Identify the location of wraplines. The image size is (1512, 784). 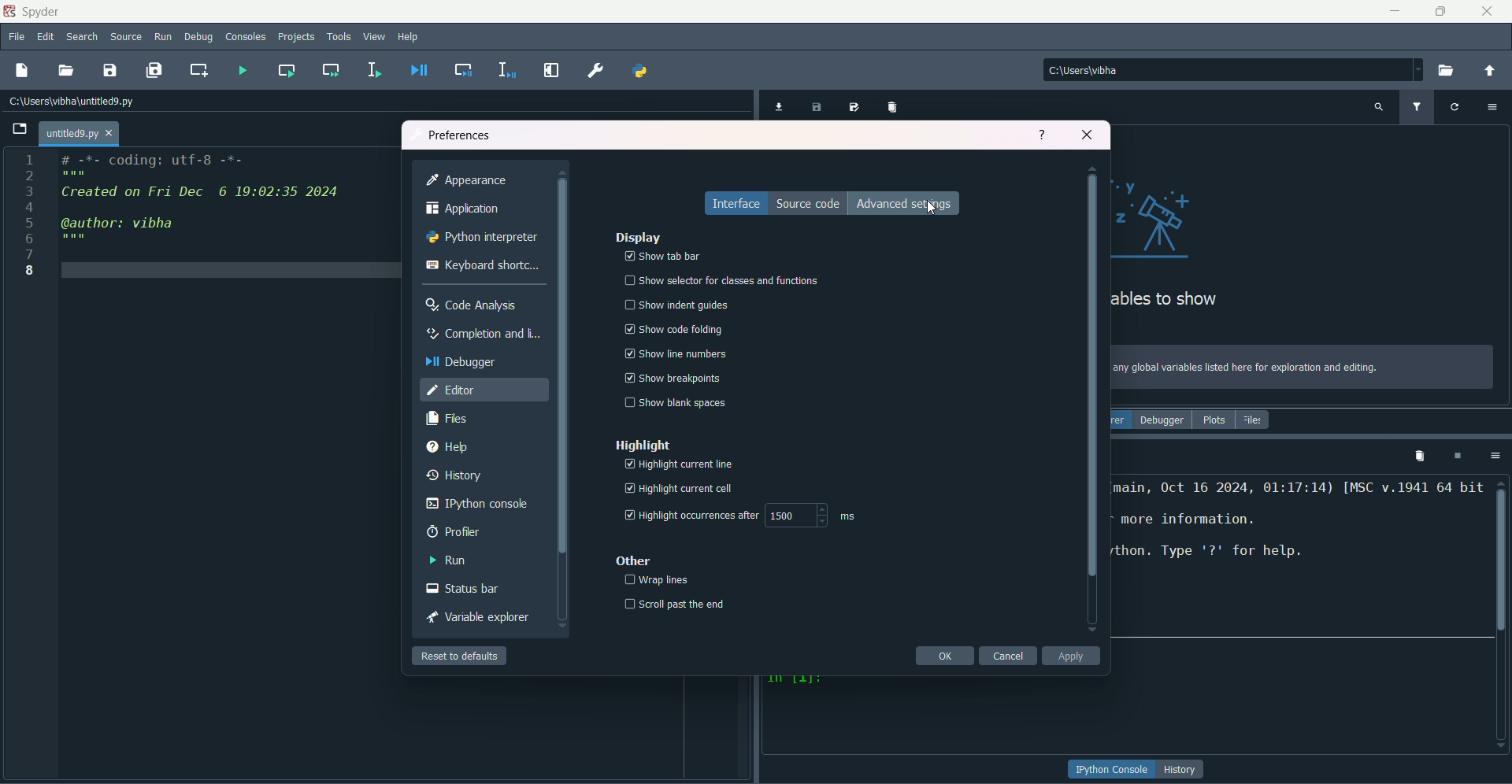
(655, 582).